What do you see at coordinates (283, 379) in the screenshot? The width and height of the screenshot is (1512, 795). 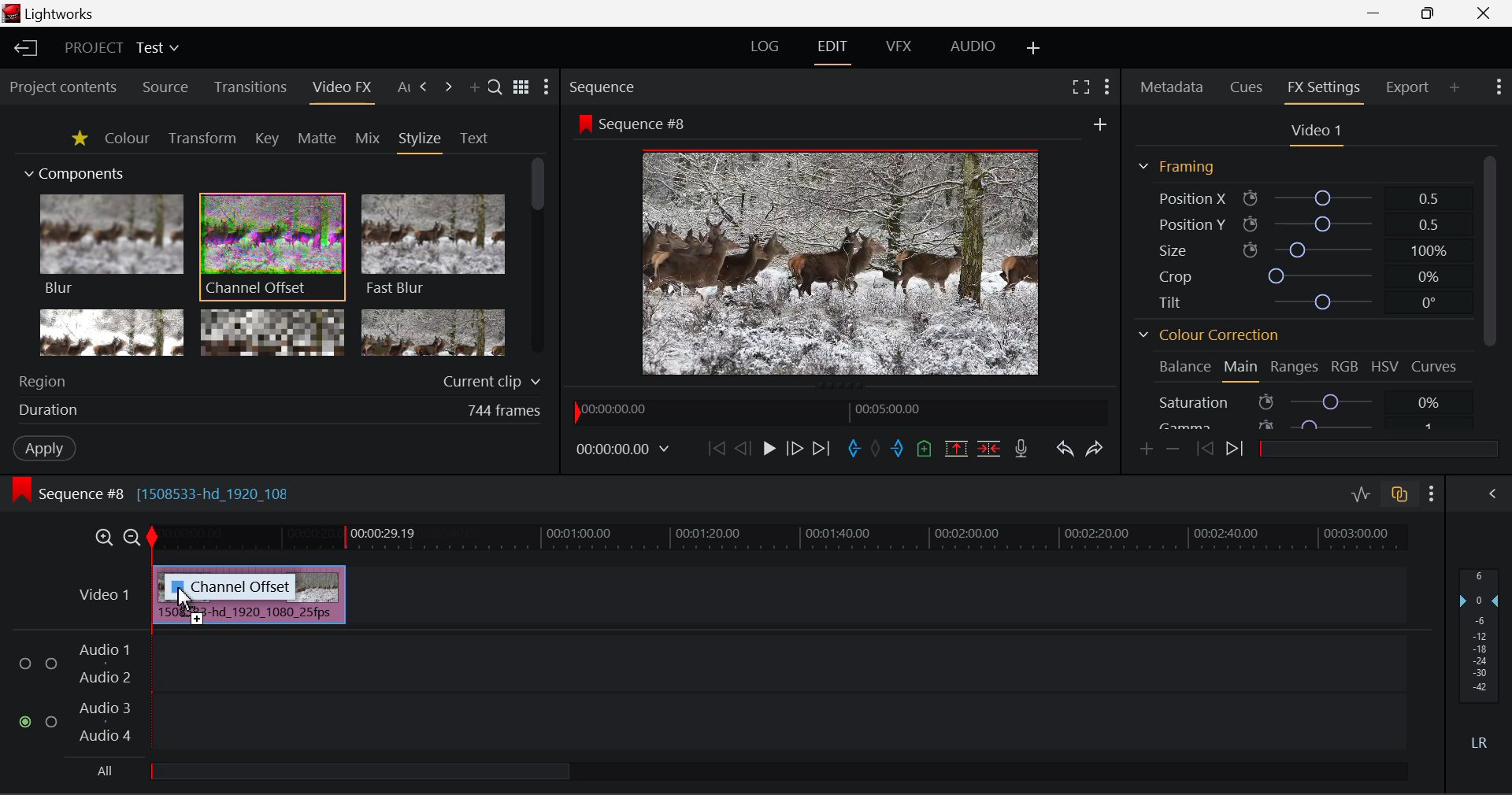 I see `Region` at bounding box center [283, 379].